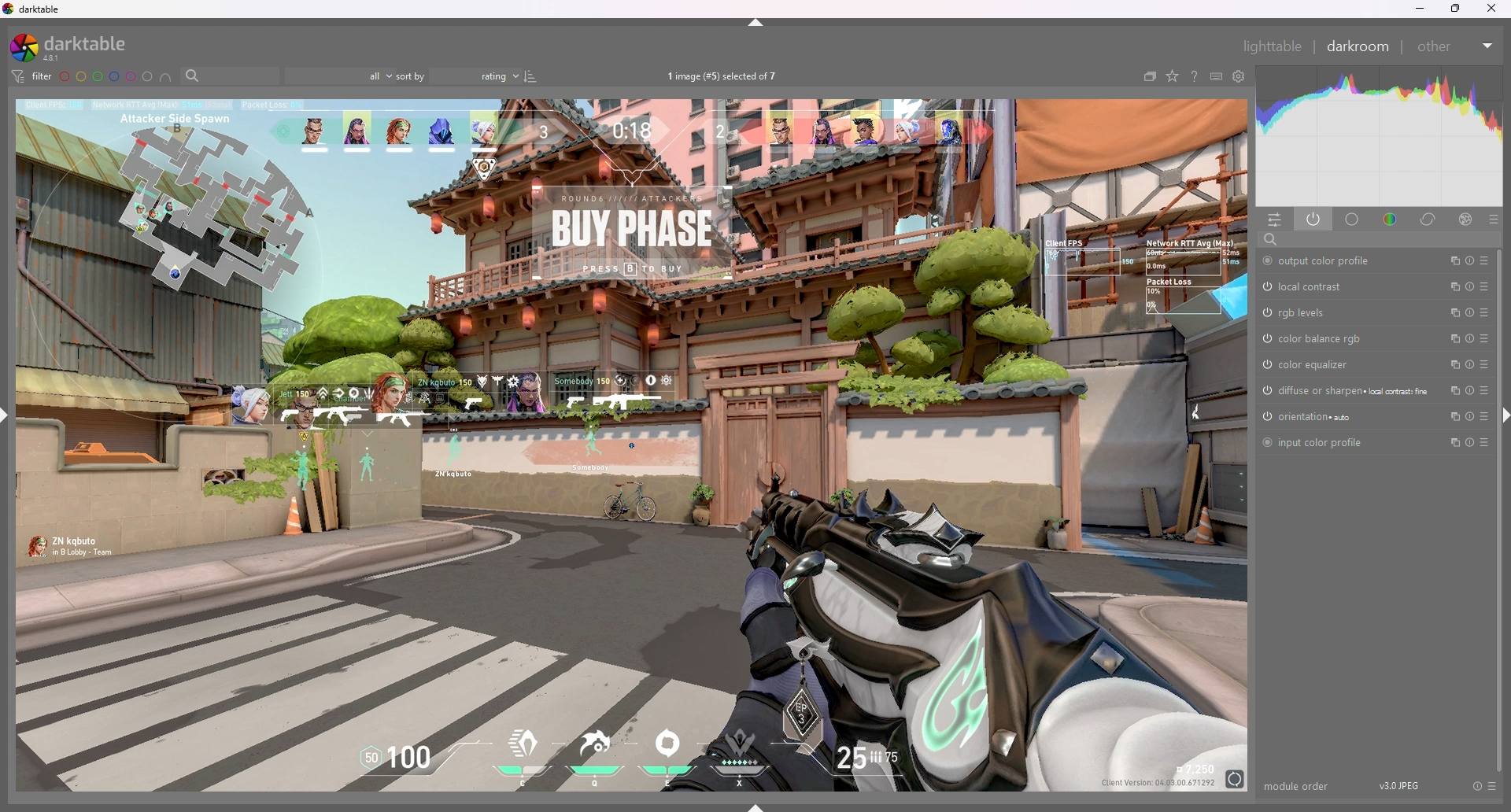 The image size is (1511, 812). What do you see at coordinates (1451, 339) in the screenshot?
I see `multiple instances actions` at bounding box center [1451, 339].